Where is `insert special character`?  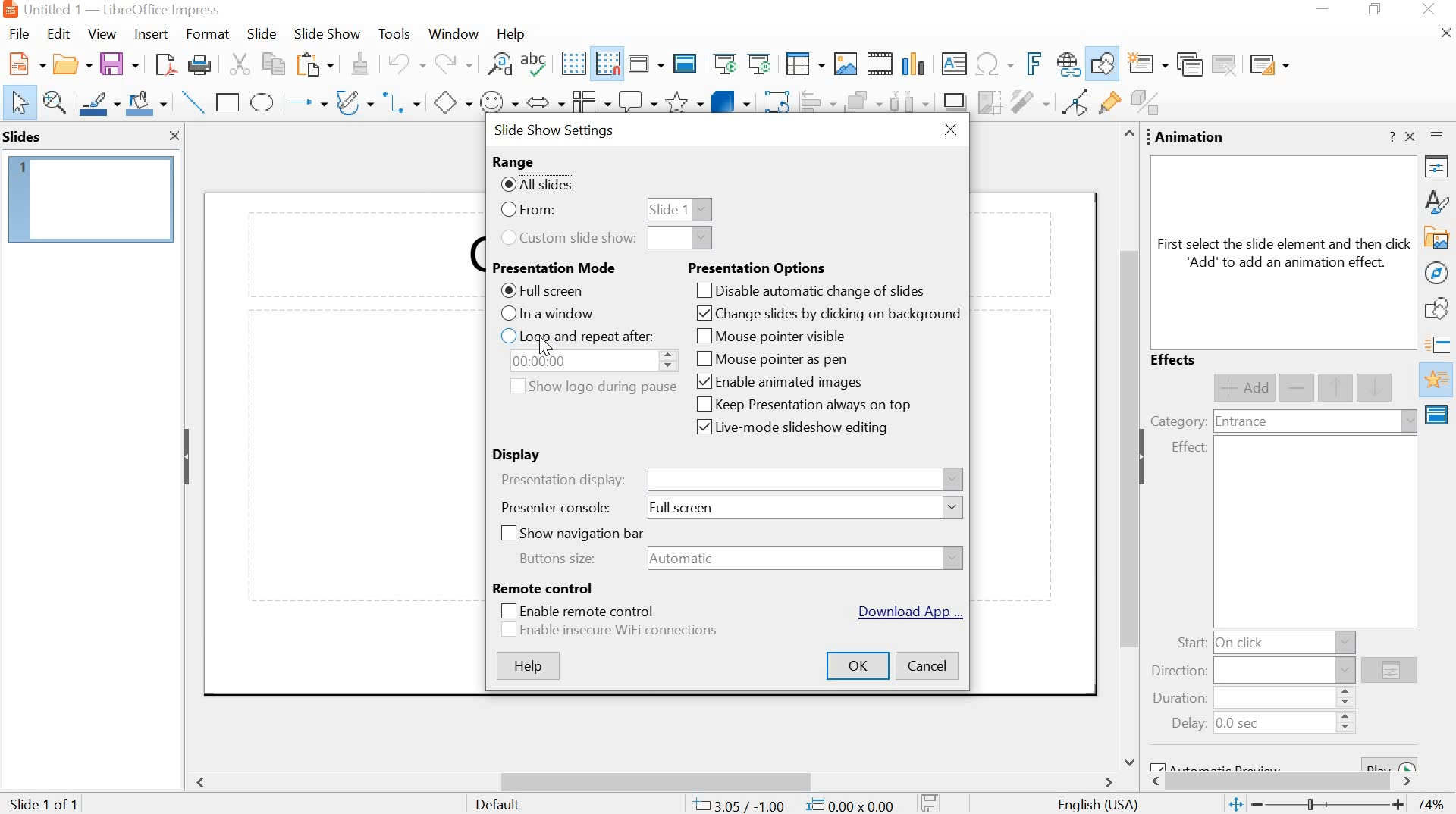
insert special character is located at coordinates (993, 64).